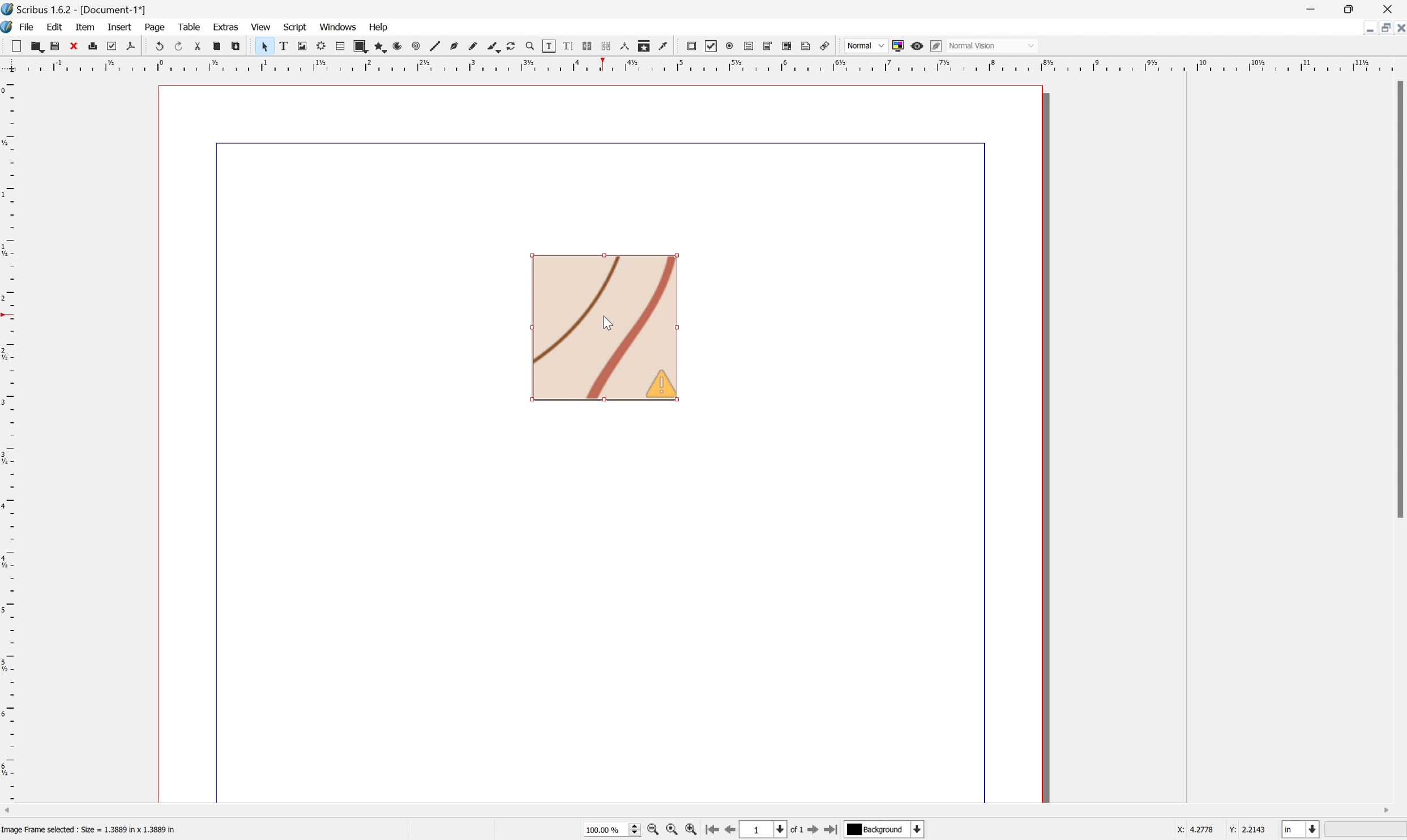  What do you see at coordinates (816, 830) in the screenshot?
I see `Next Page` at bounding box center [816, 830].